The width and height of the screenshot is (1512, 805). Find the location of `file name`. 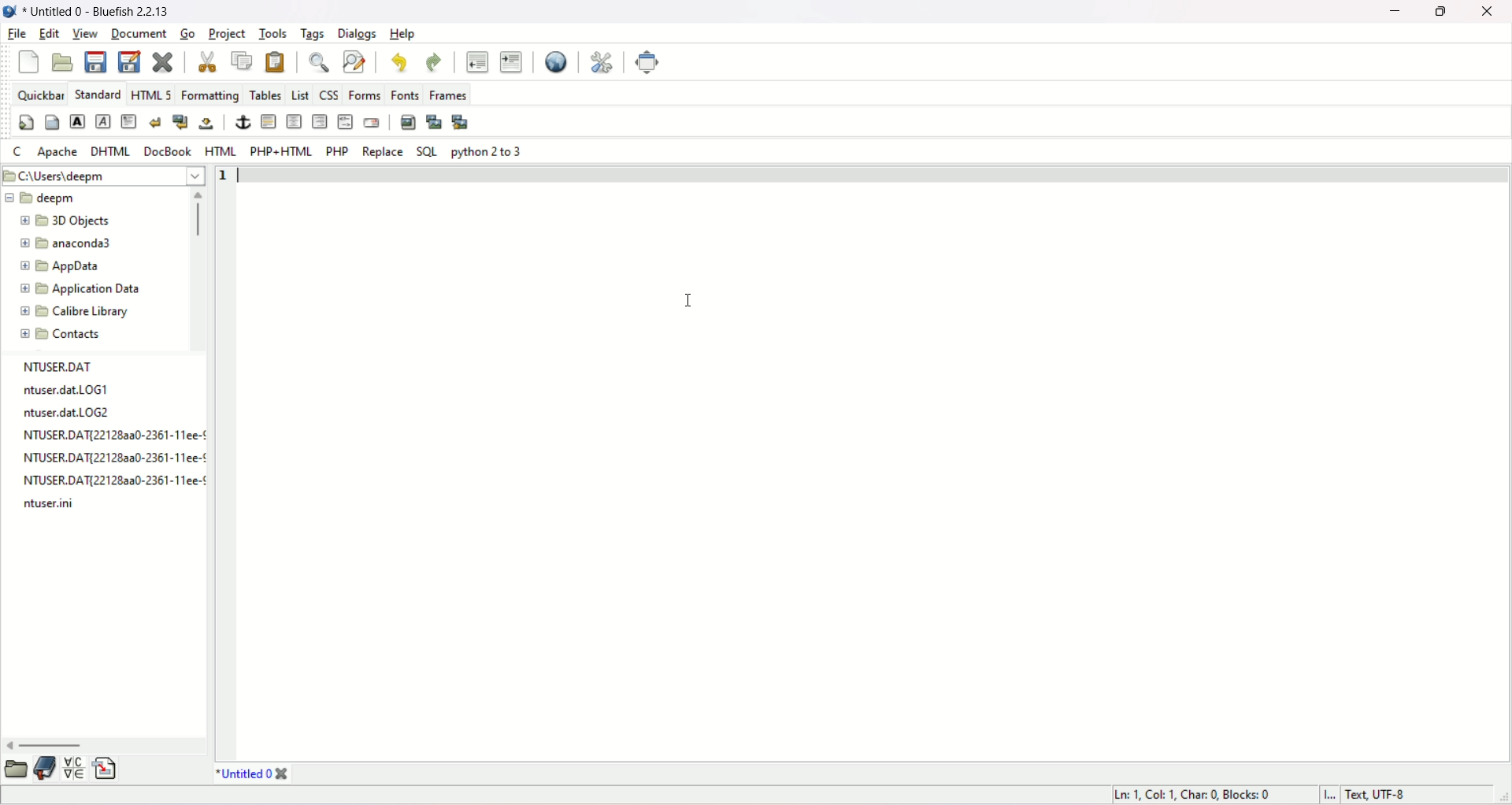

file name is located at coordinates (72, 390).